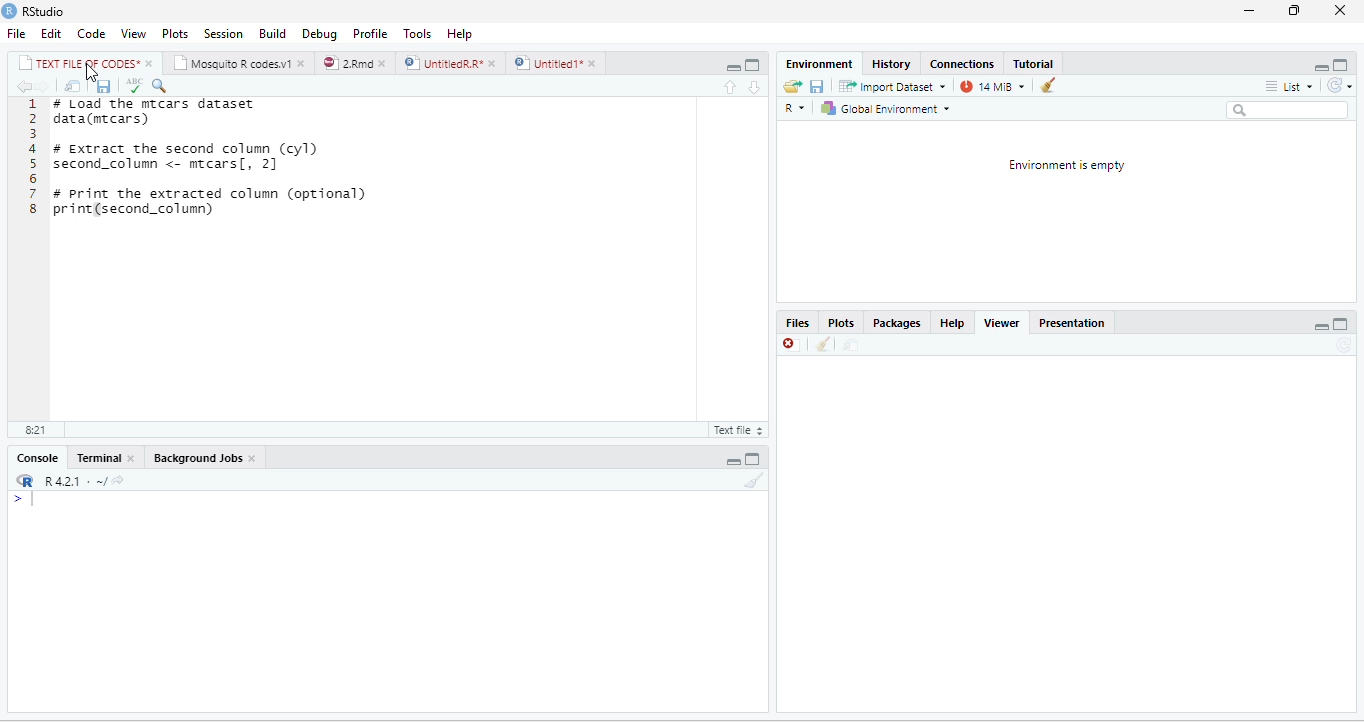 This screenshot has width=1364, height=722. What do you see at coordinates (418, 32) in the screenshot?
I see `Tools` at bounding box center [418, 32].